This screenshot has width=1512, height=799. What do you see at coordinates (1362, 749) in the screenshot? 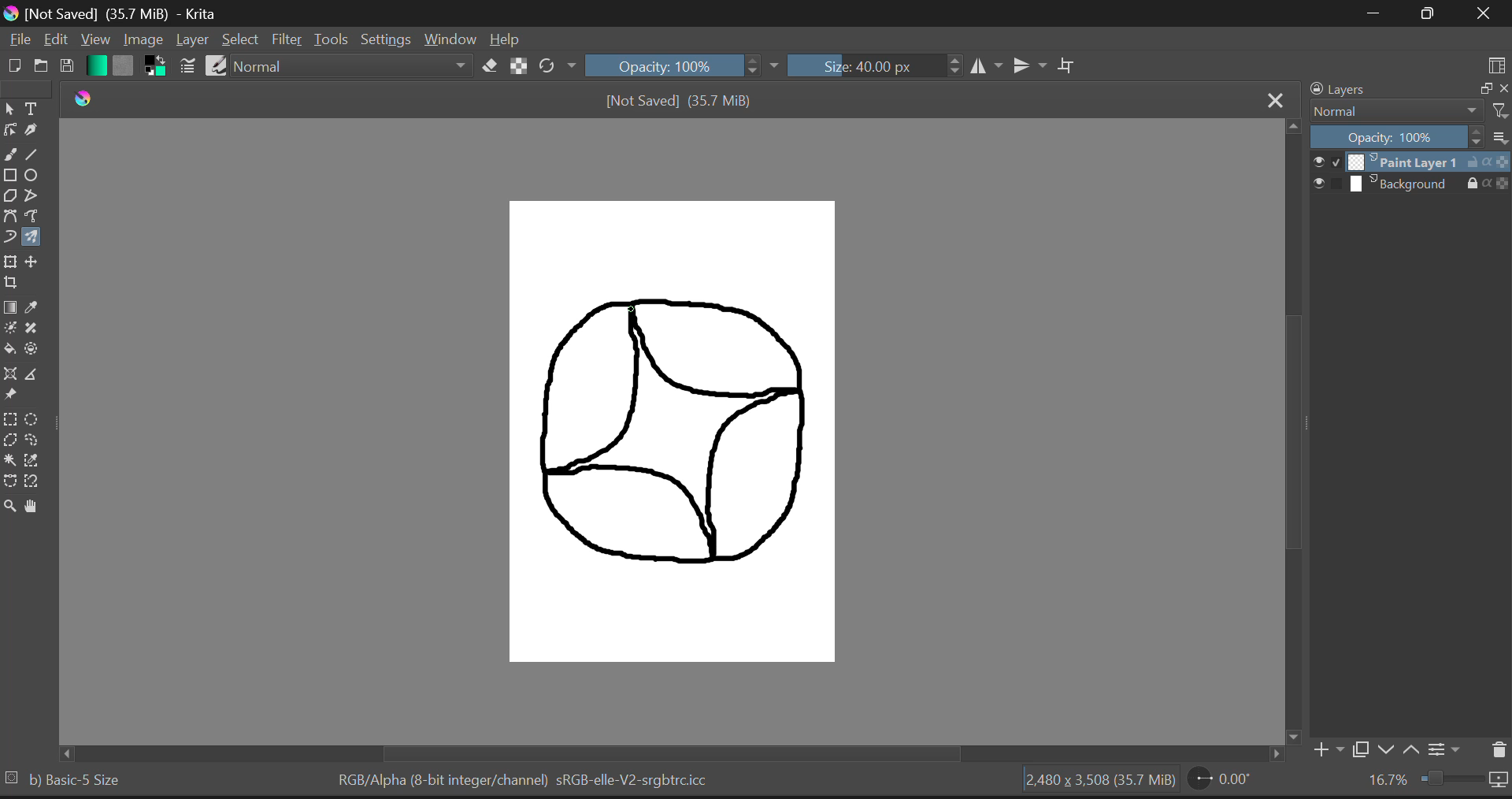
I see `Copy Layer` at bounding box center [1362, 749].